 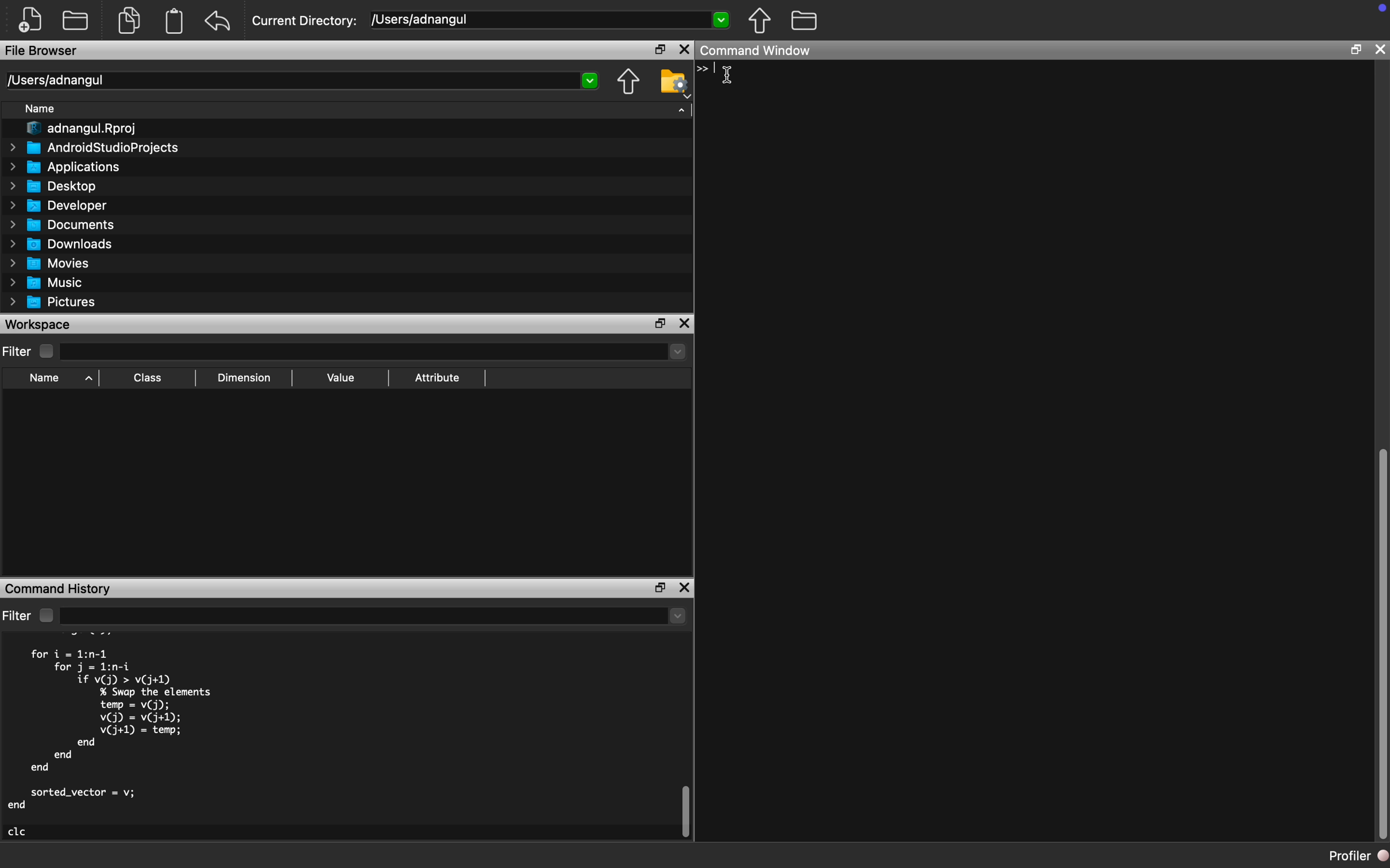 What do you see at coordinates (685, 324) in the screenshot?
I see `Close` at bounding box center [685, 324].